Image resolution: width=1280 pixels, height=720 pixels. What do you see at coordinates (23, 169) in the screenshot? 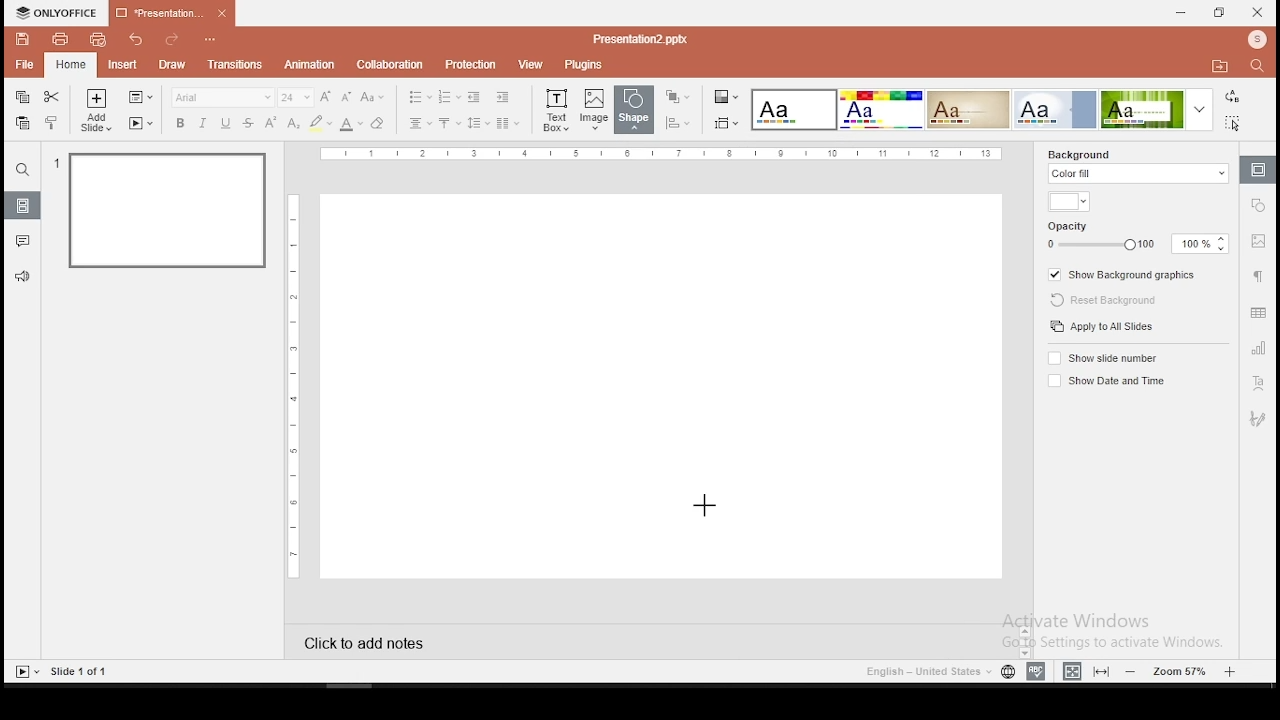
I see `search` at bounding box center [23, 169].